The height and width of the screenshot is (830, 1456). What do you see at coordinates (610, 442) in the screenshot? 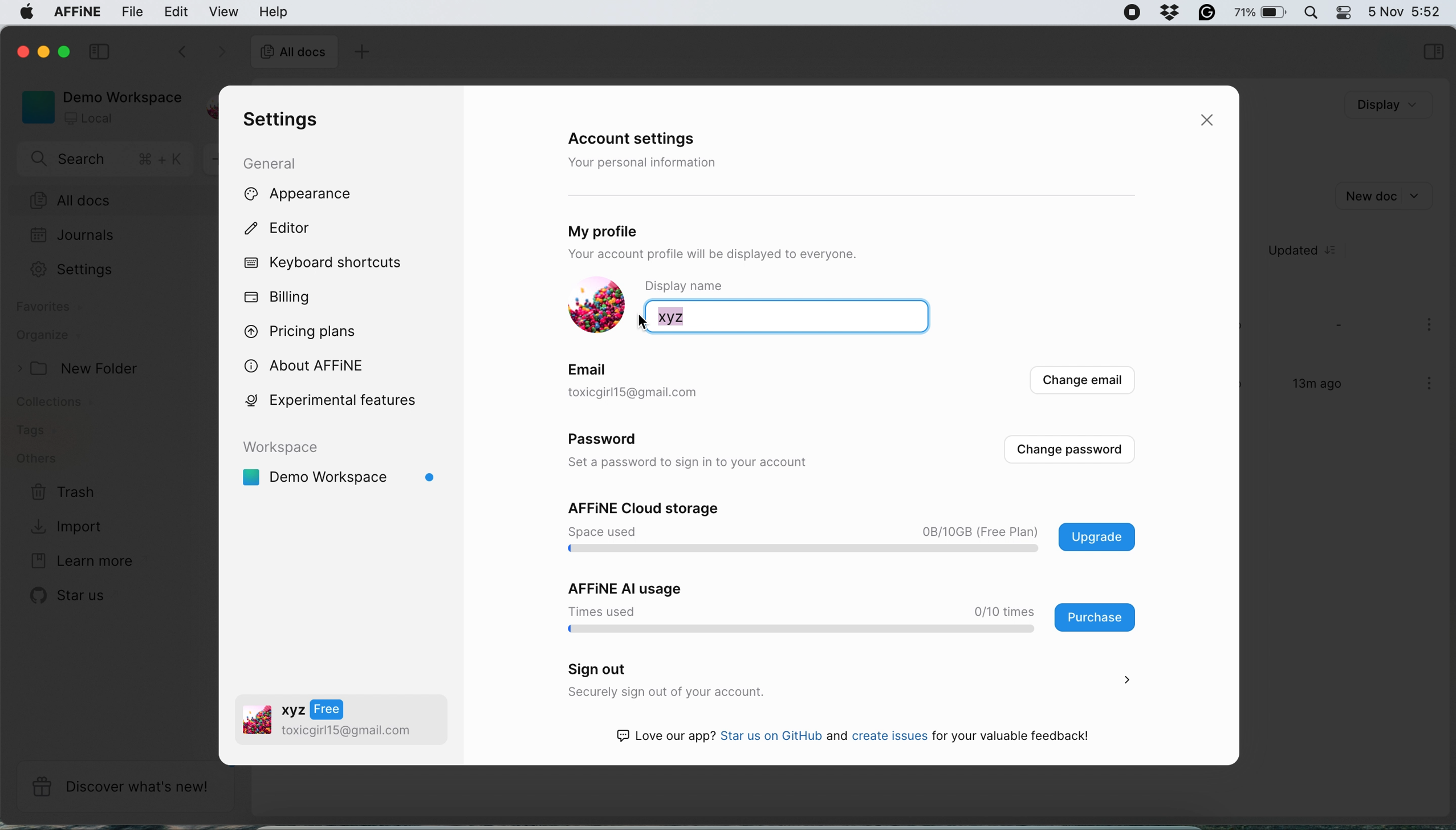
I see `password` at bounding box center [610, 442].